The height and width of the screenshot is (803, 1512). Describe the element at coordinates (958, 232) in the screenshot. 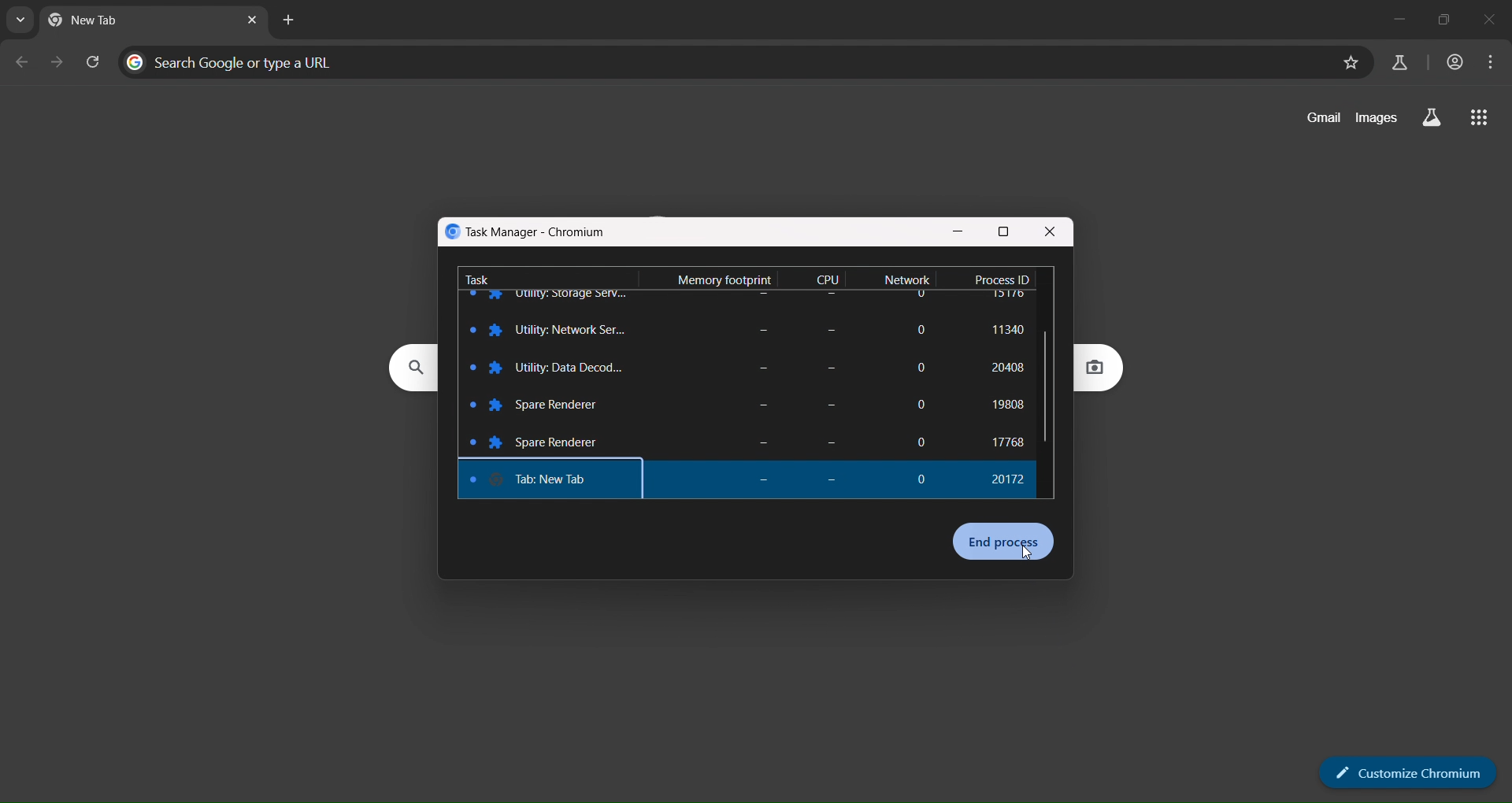

I see `minimize` at that location.